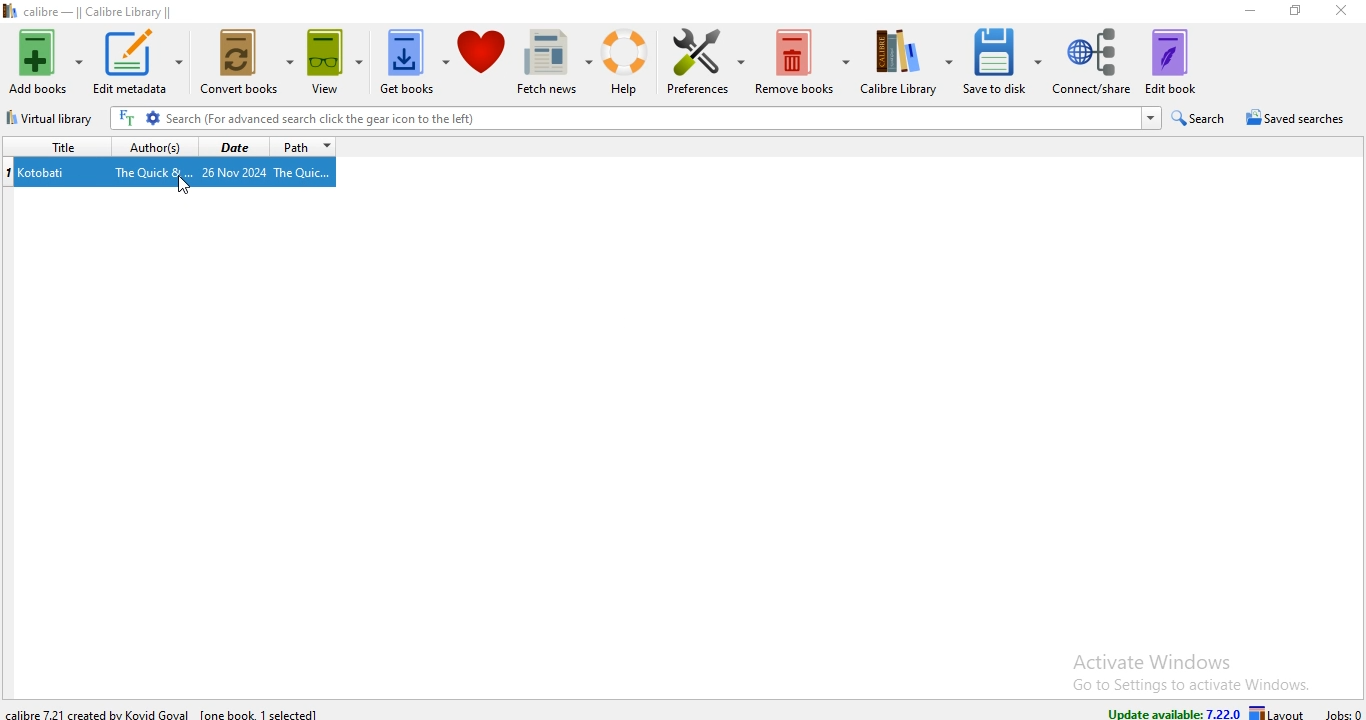 This screenshot has height=720, width=1366. I want to click on authors, so click(154, 147).